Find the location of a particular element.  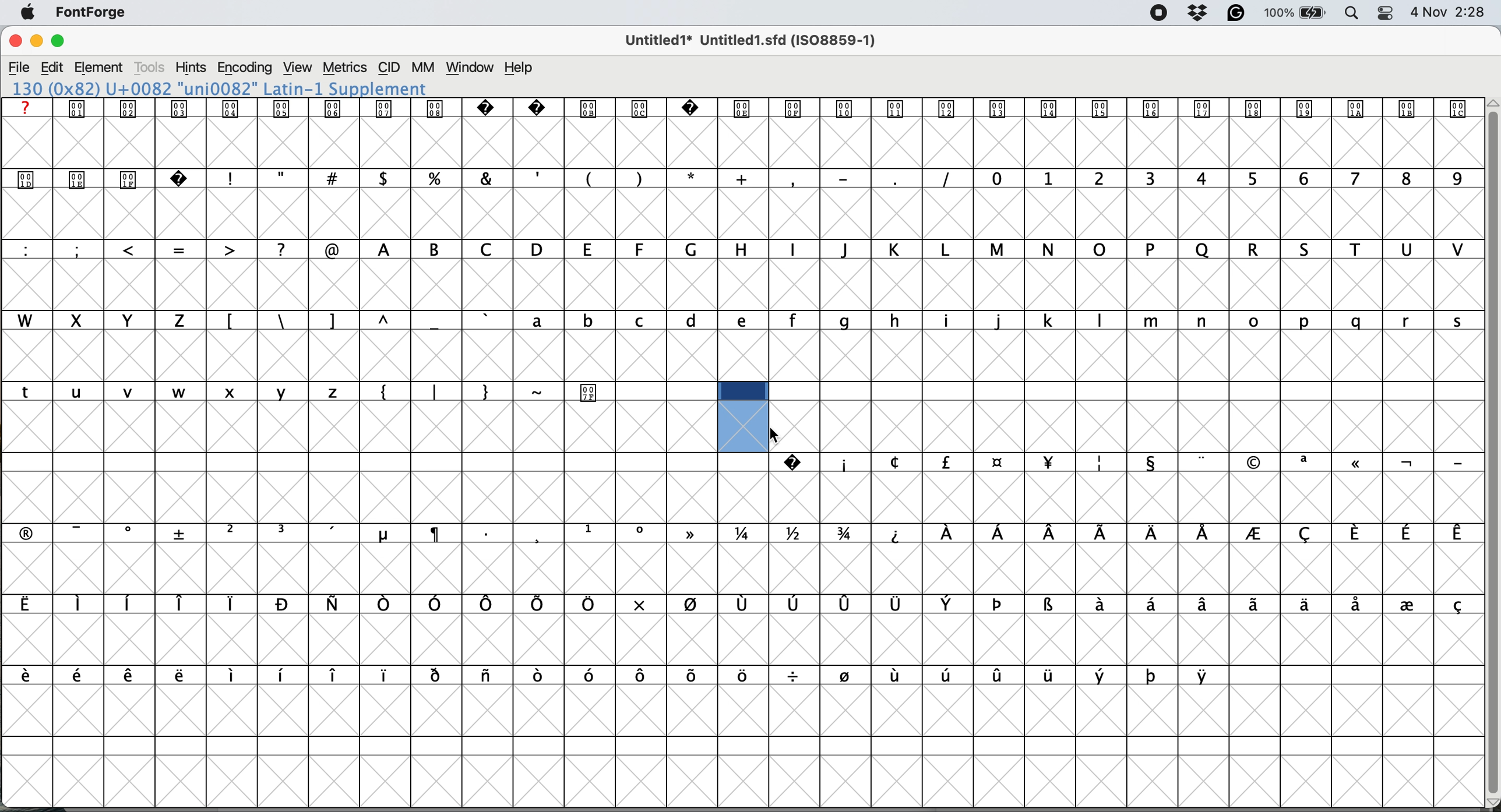

maximise is located at coordinates (59, 41).